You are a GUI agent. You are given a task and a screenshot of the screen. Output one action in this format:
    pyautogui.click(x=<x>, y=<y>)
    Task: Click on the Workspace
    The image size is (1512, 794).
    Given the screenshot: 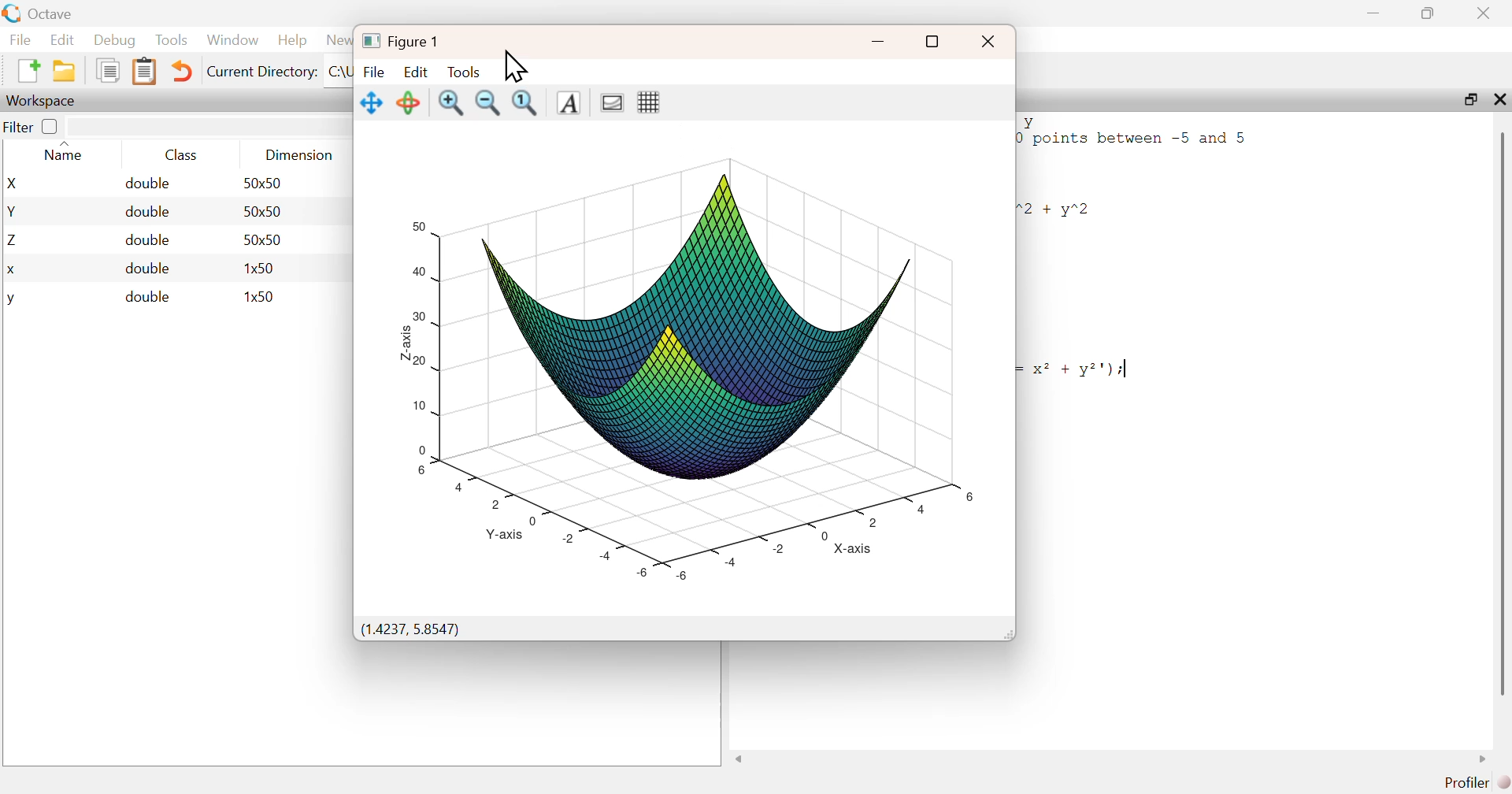 What is the action you would take?
    pyautogui.click(x=42, y=101)
    